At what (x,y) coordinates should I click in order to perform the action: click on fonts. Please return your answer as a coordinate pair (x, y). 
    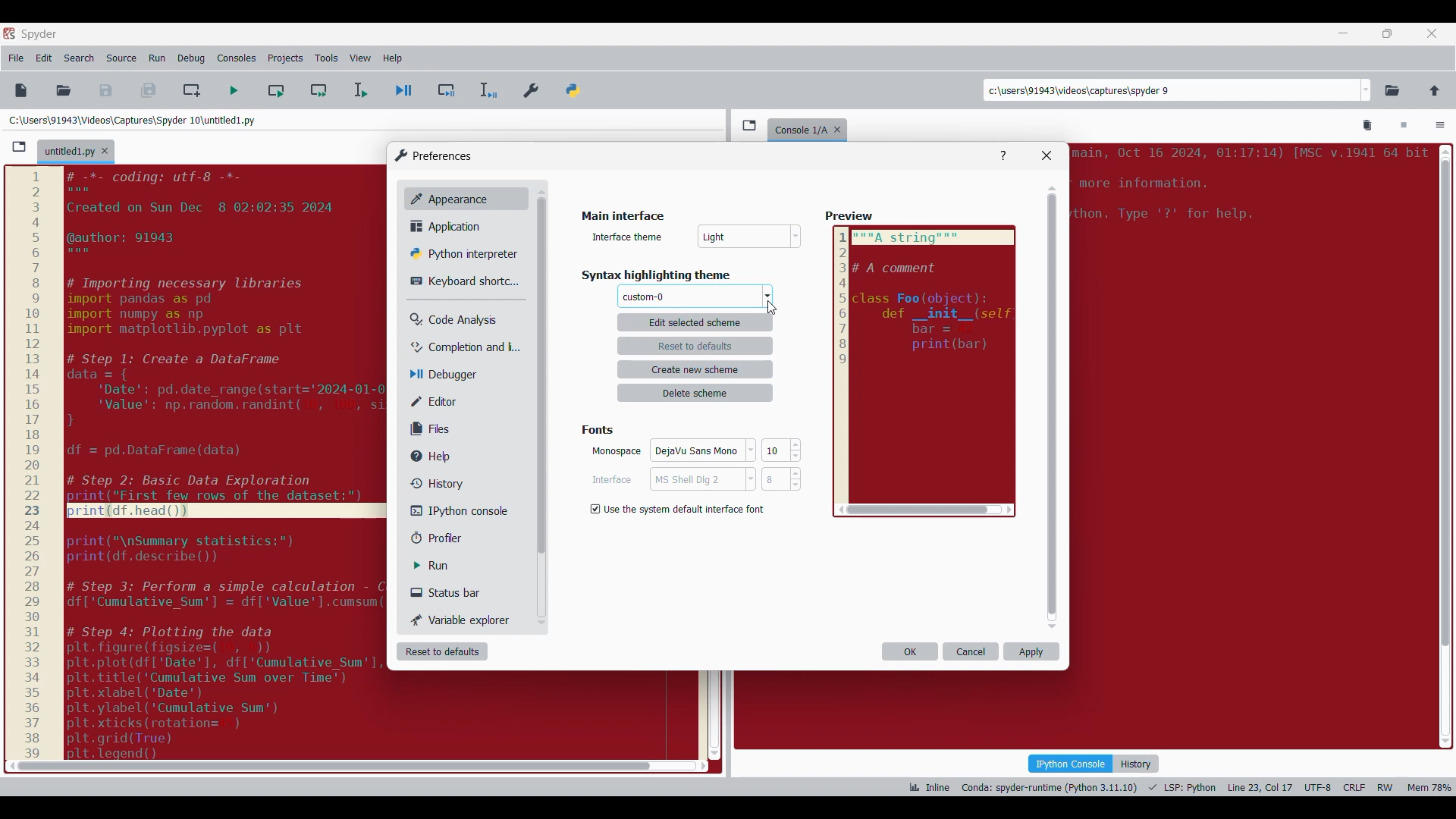
    Looking at the image, I should click on (601, 428).